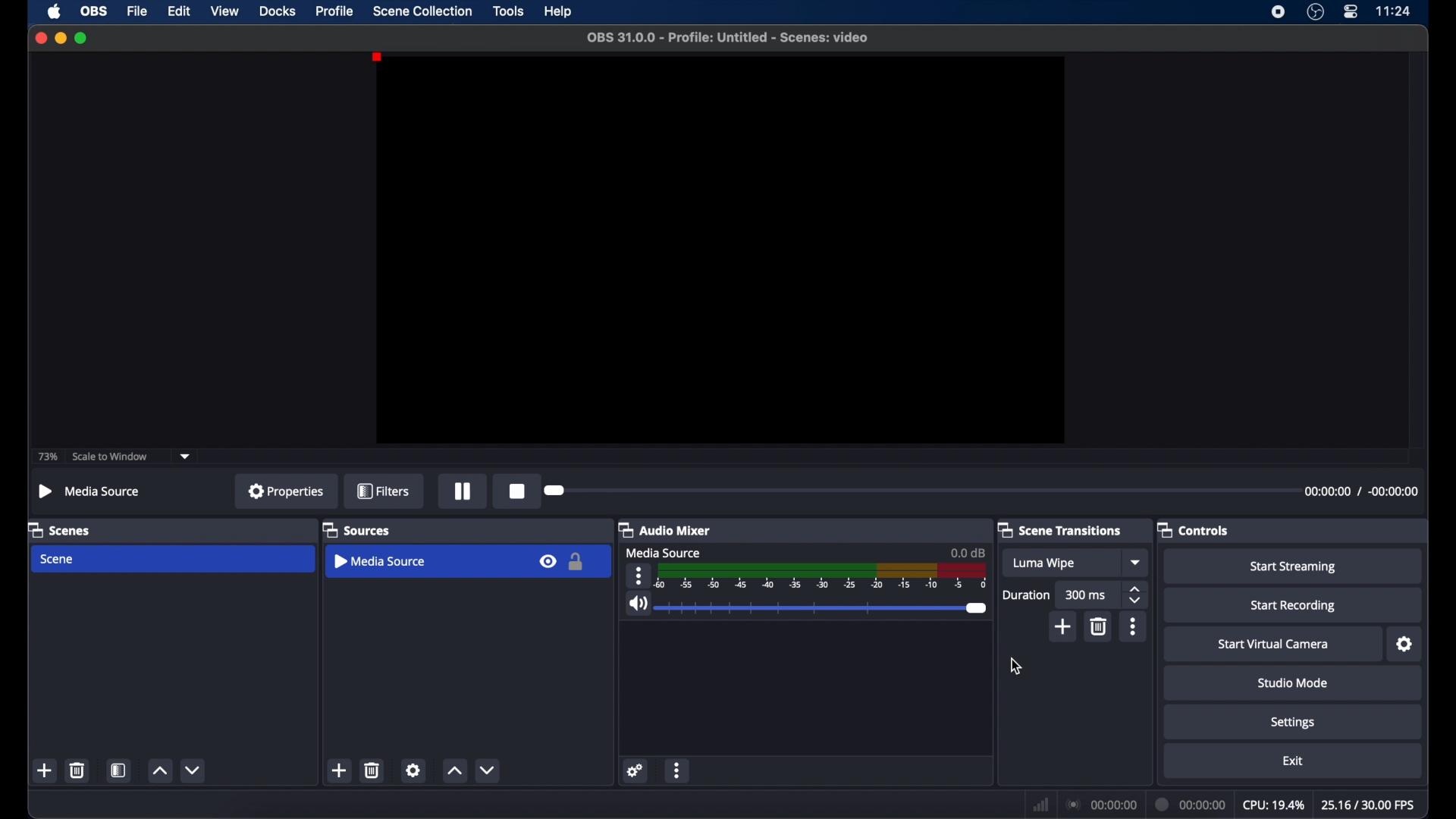 The image size is (1456, 819). What do you see at coordinates (384, 491) in the screenshot?
I see `filters` at bounding box center [384, 491].